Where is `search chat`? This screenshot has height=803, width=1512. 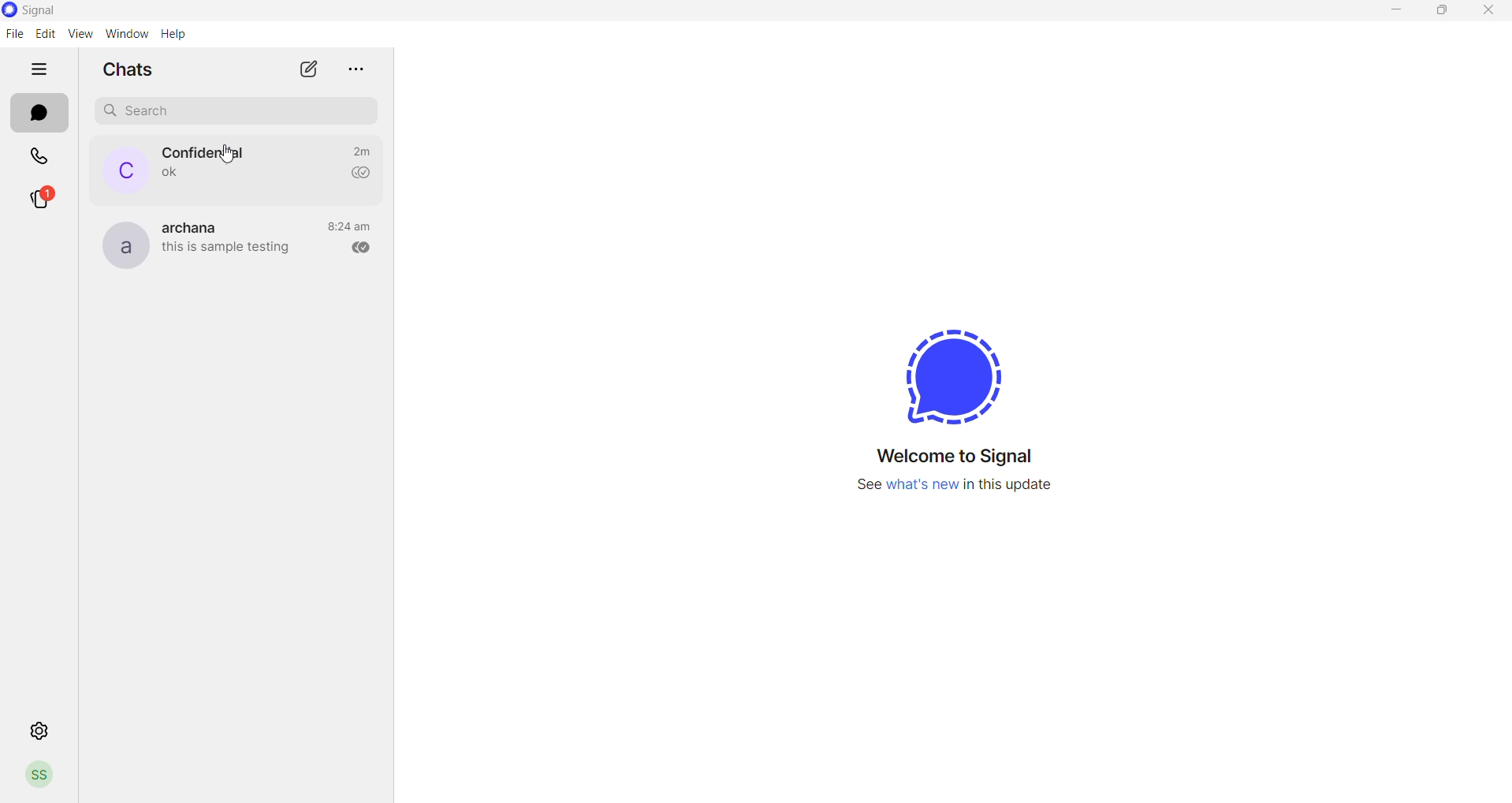
search chat is located at coordinates (239, 111).